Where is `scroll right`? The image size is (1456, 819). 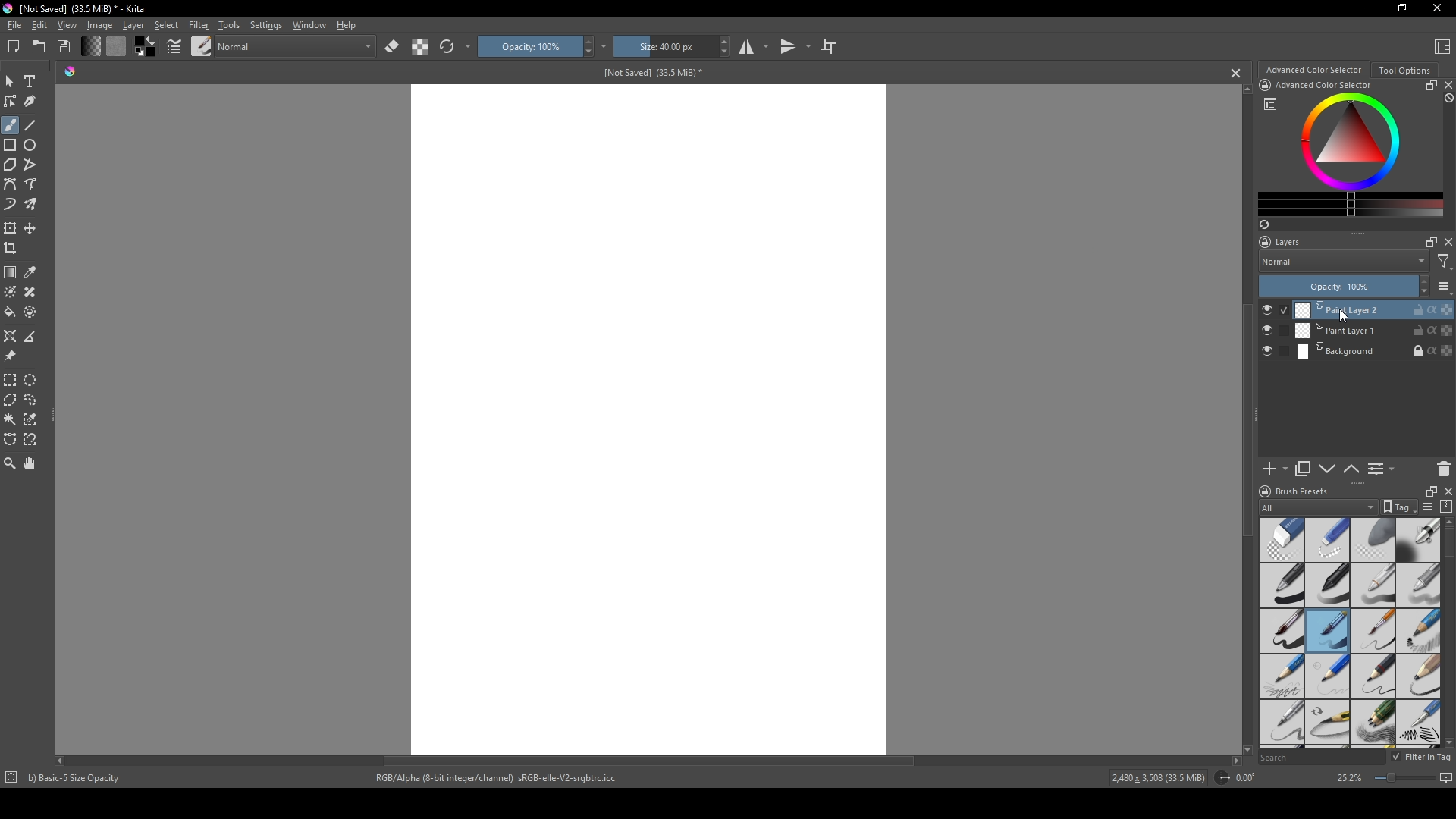
scroll right is located at coordinates (1236, 761).